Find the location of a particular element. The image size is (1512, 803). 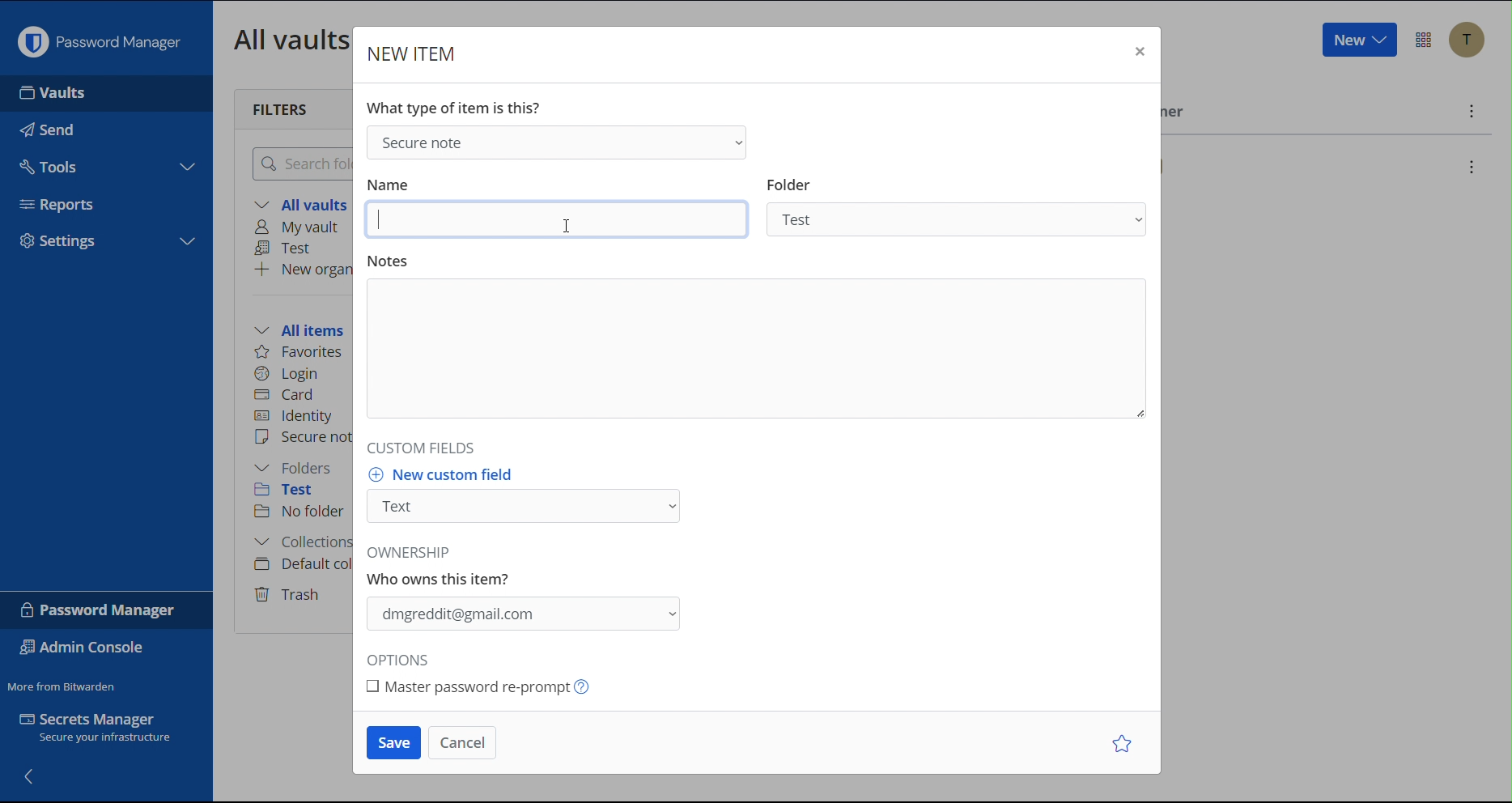

What type of item is this is located at coordinates (452, 108).